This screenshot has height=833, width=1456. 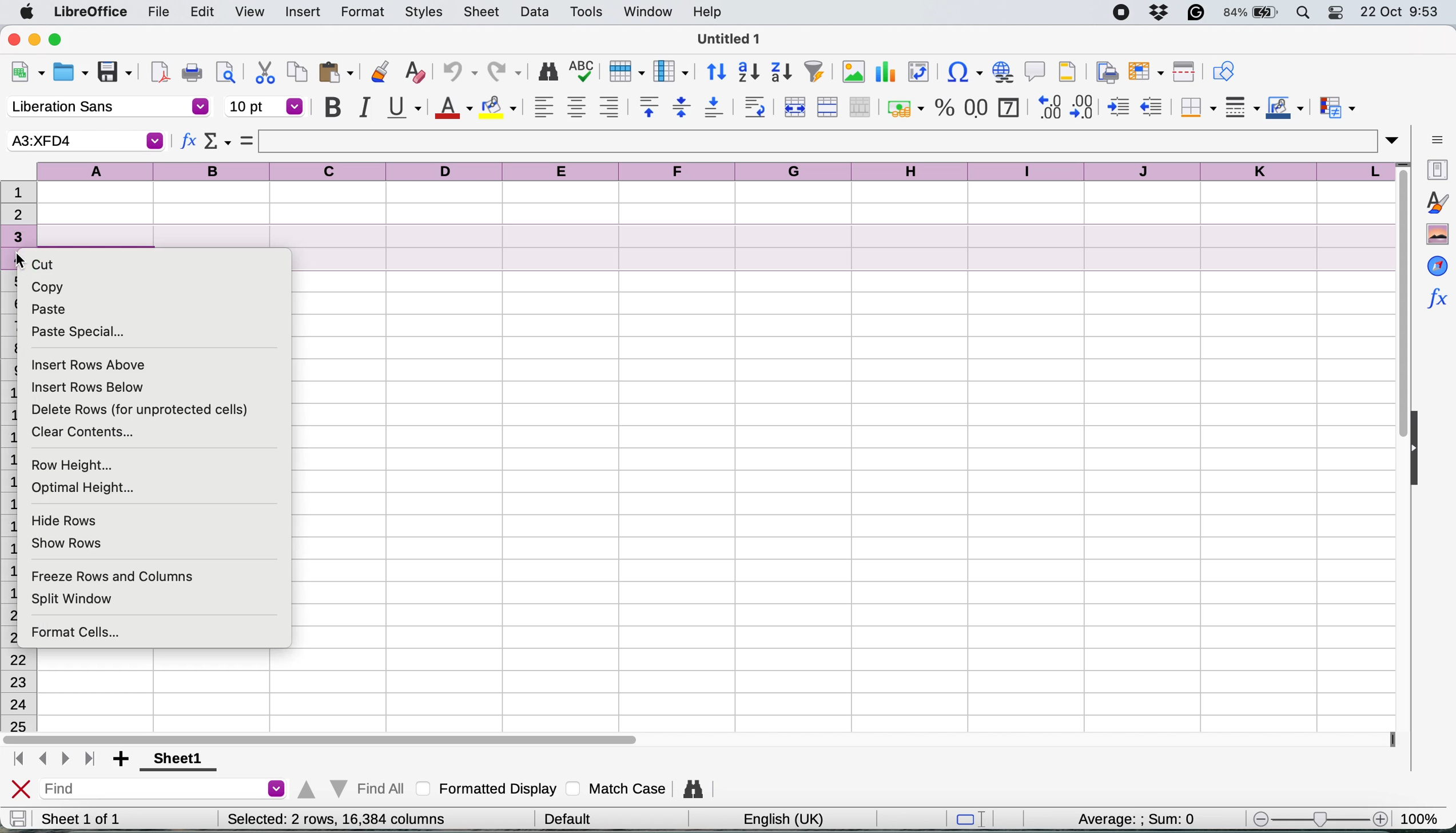 I want to click on sort descending, so click(x=782, y=73).